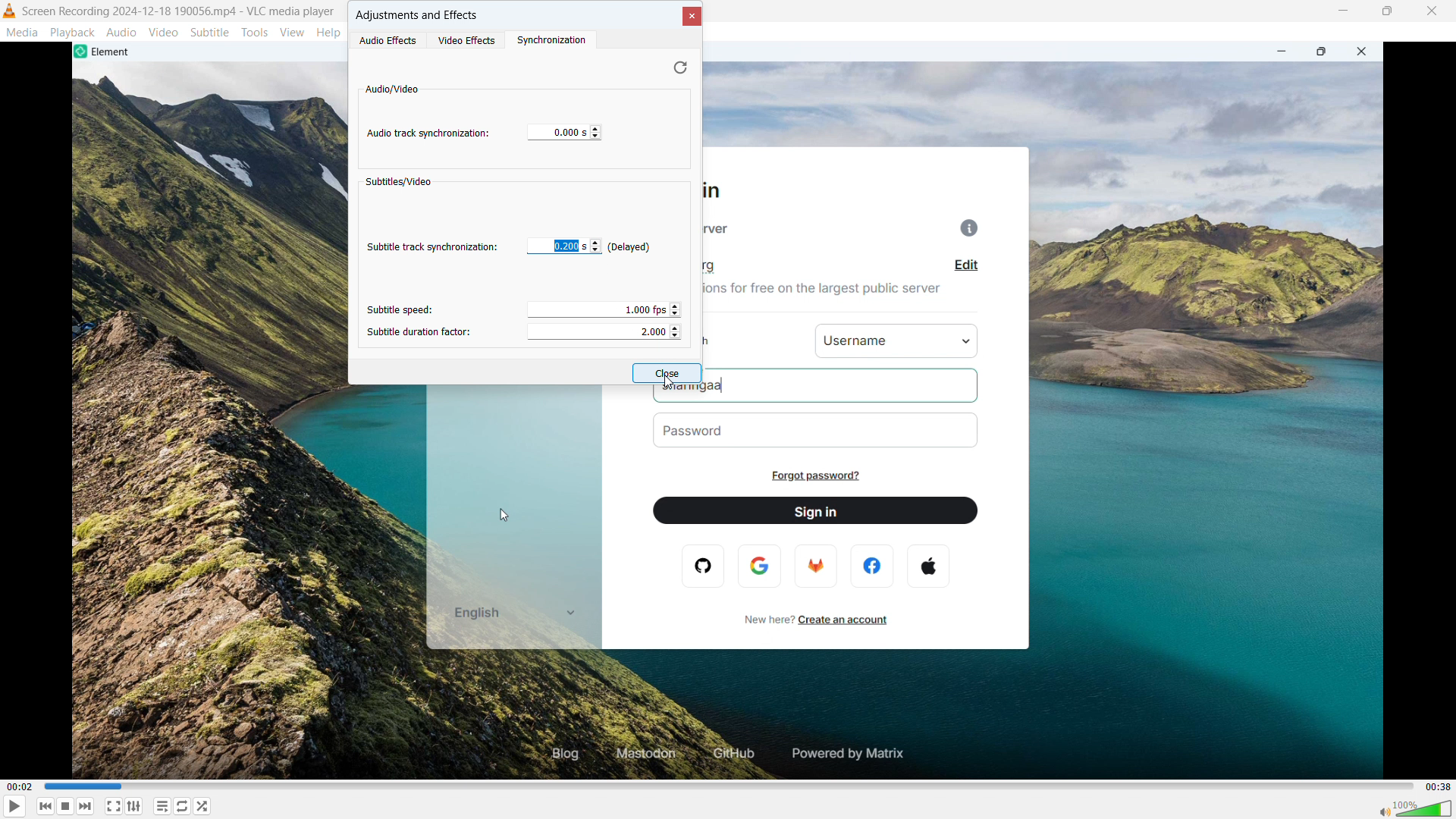 This screenshot has width=1456, height=819. I want to click on toggle between loop all, loop one & no loop, so click(183, 806).